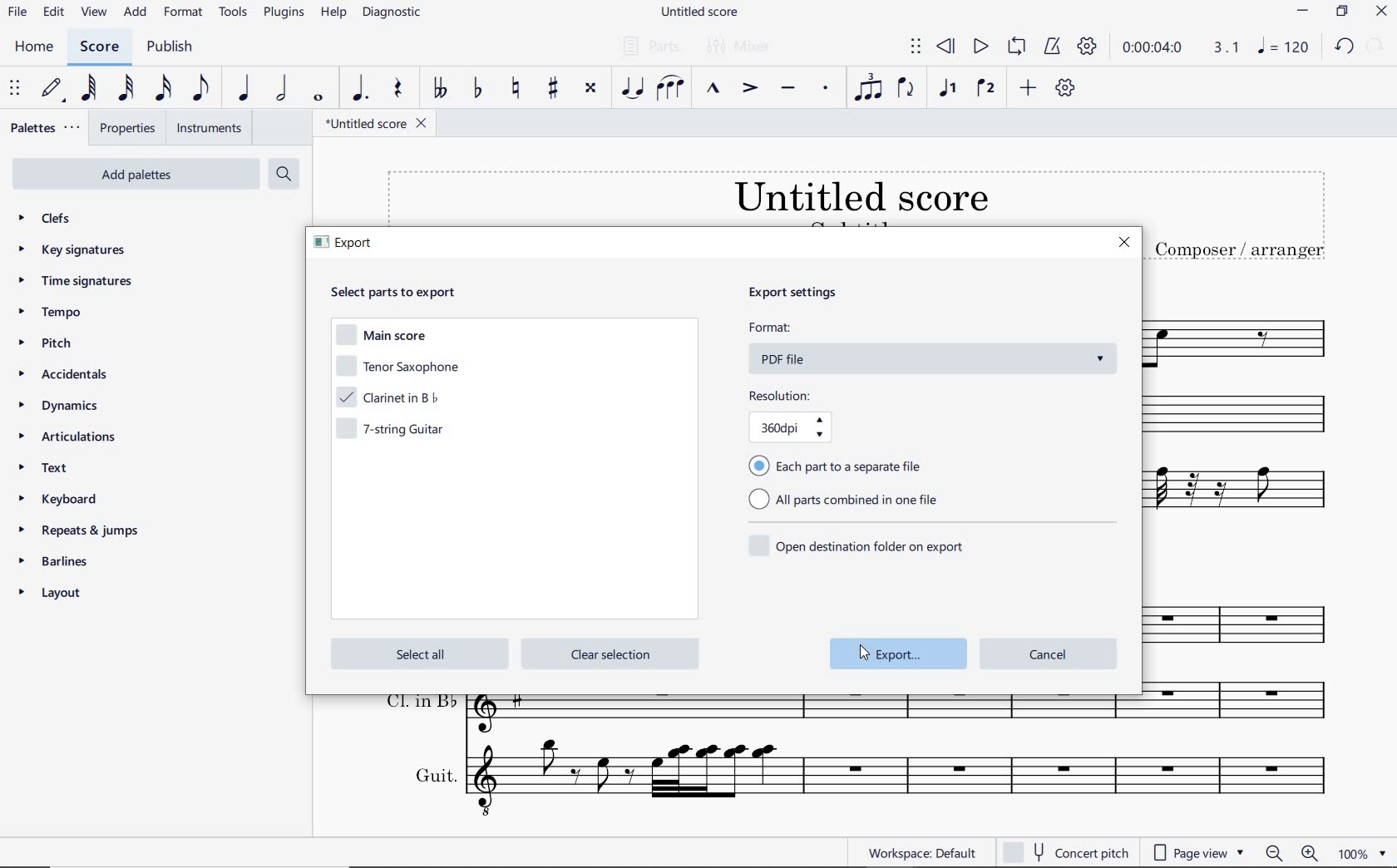 The height and width of the screenshot is (868, 1397). I want to click on FILE, so click(17, 13).